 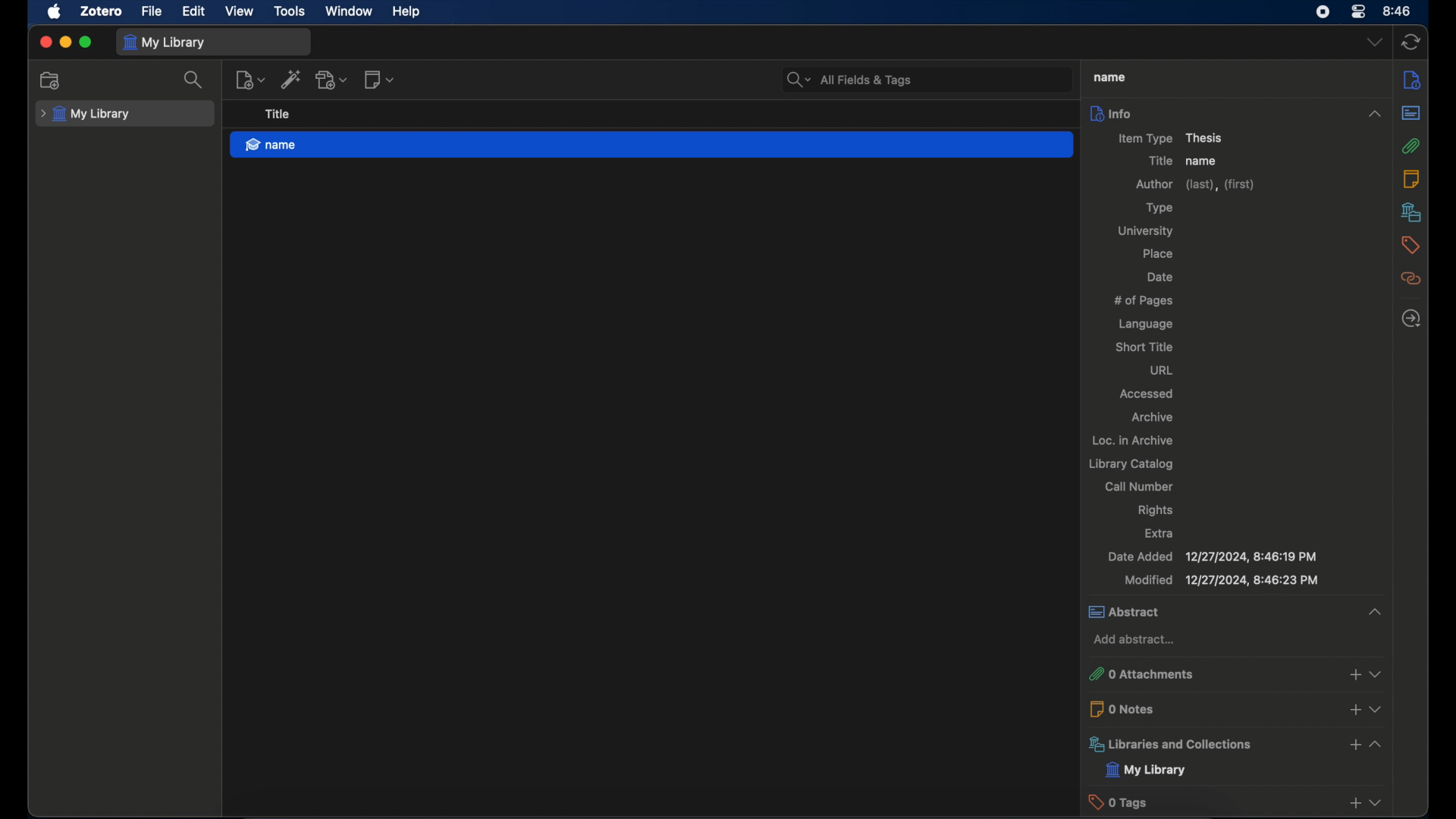 What do you see at coordinates (151, 11) in the screenshot?
I see `file` at bounding box center [151, 11].